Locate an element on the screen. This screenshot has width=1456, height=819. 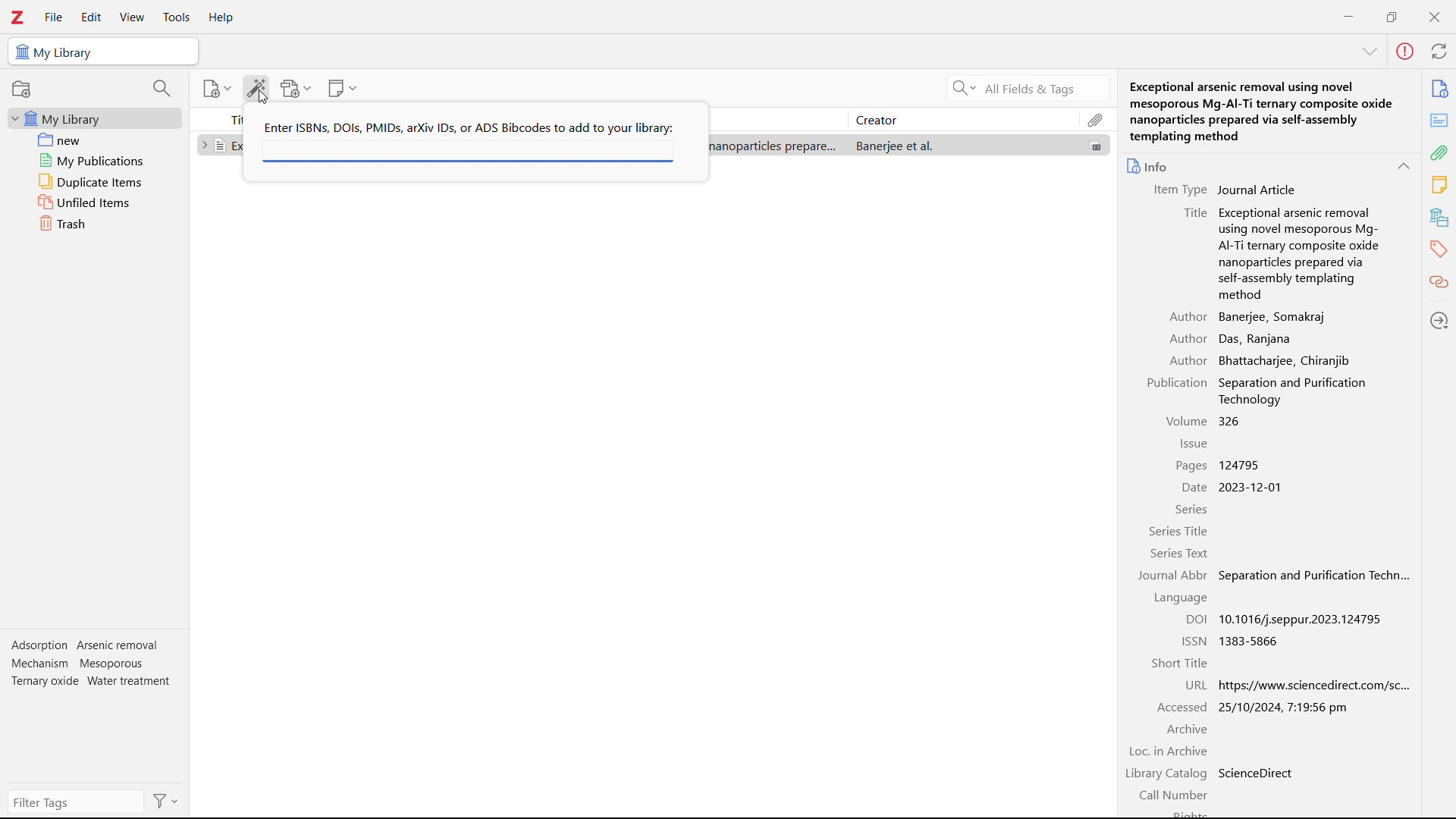
U R L is located at coordinates (1197, 685).